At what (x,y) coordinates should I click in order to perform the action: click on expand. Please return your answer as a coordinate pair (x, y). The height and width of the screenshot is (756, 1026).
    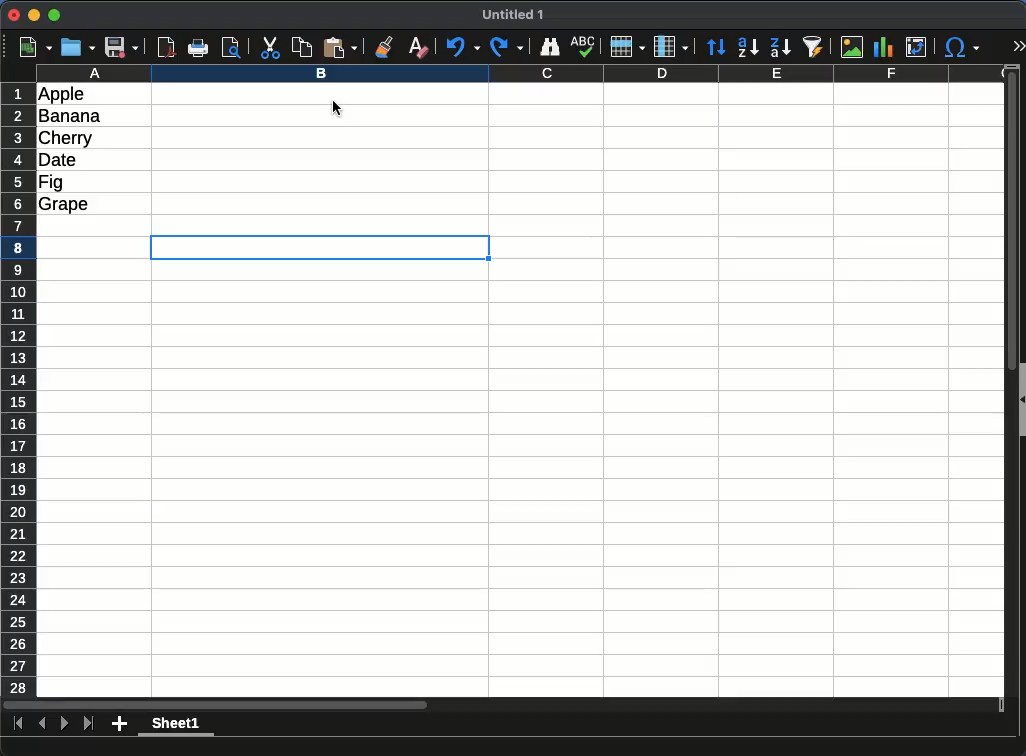
    Looking at the image, I should click on (1019, 46).